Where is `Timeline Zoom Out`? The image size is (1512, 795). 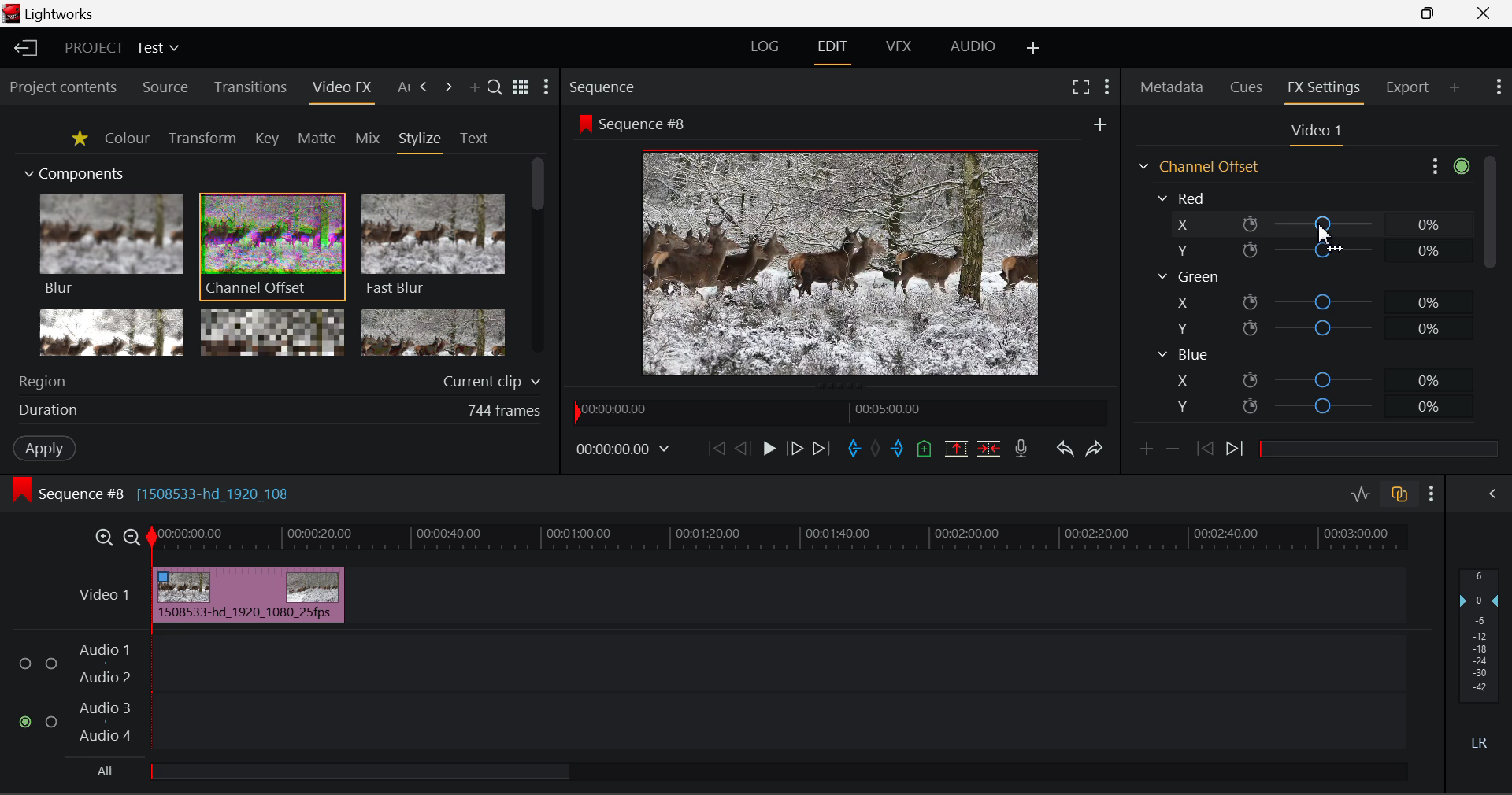 Timeline Zoom Out is located at coordinates (134, 539).